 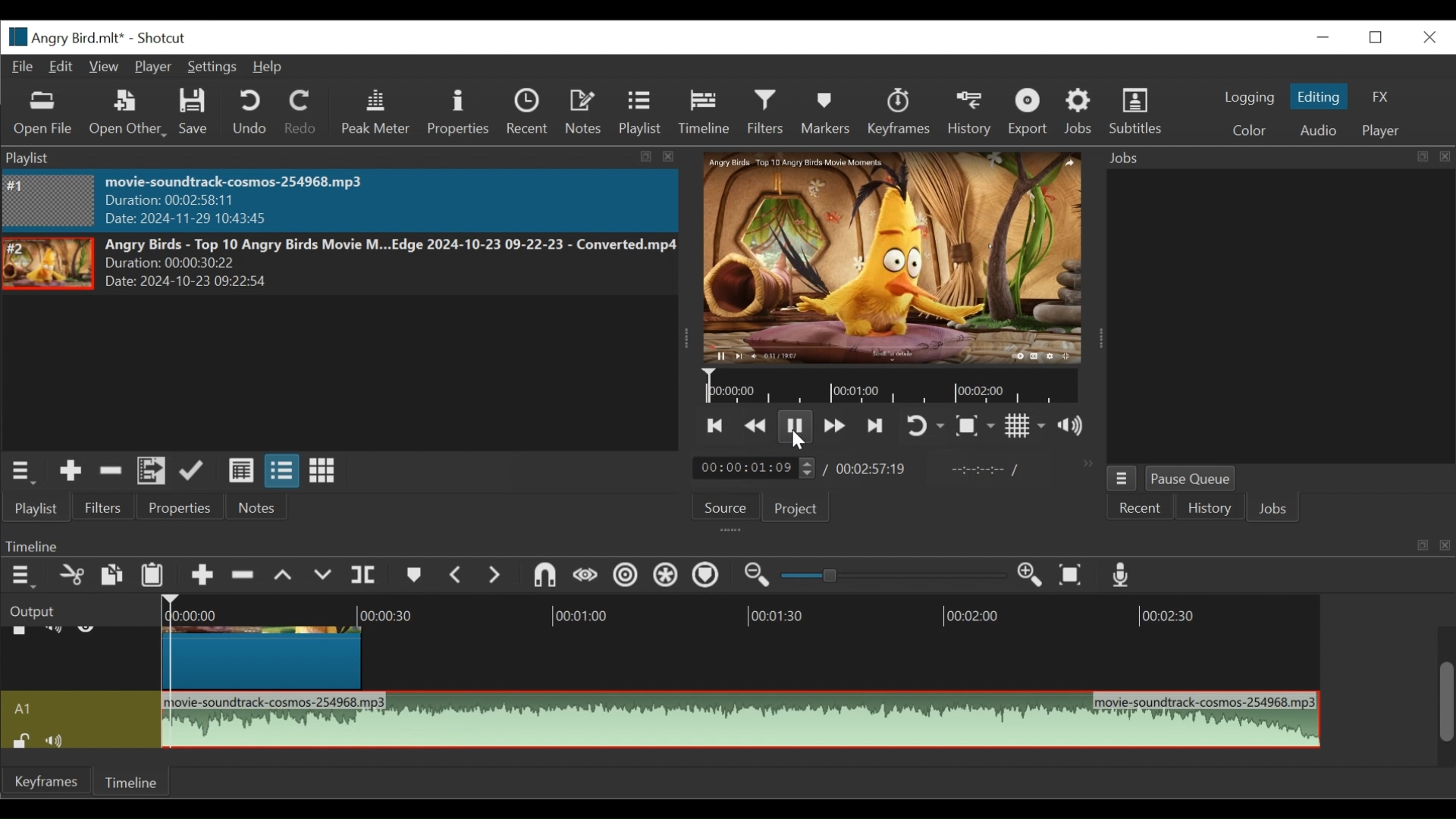 What do you see at coordinates (981, 469) in the screenshot?
I see `In point` at bounding box center [981, 469].